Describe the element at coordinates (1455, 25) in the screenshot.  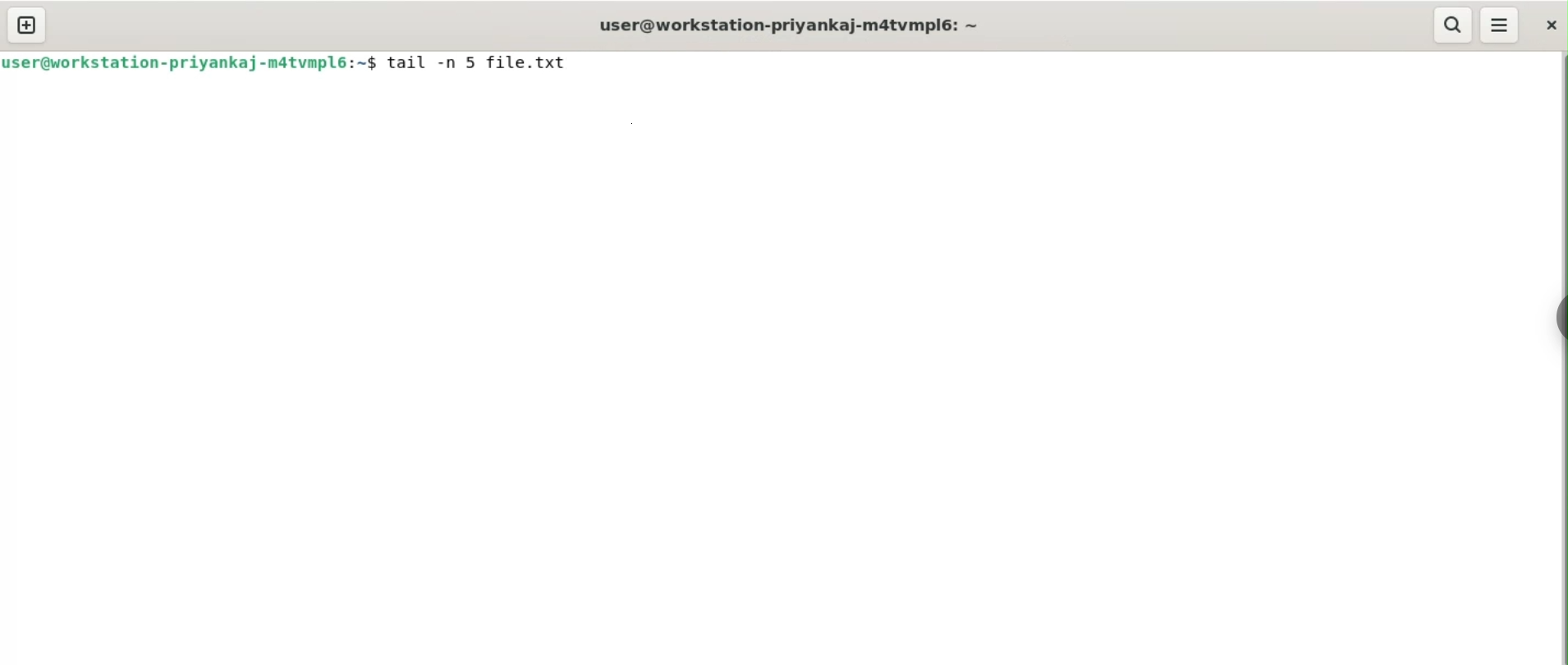
I see `search` at that location.